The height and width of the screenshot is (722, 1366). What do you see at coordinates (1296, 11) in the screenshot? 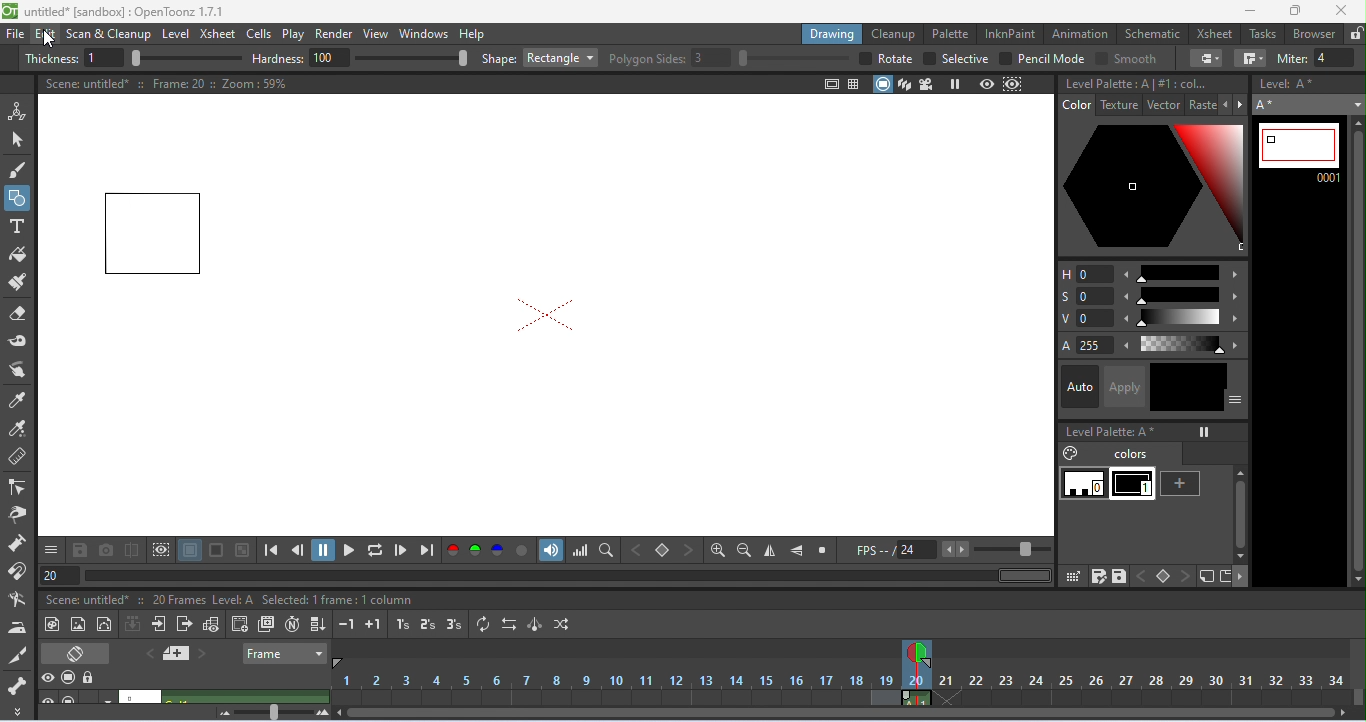
I see `maximize` at bounding box center [1296, 11].